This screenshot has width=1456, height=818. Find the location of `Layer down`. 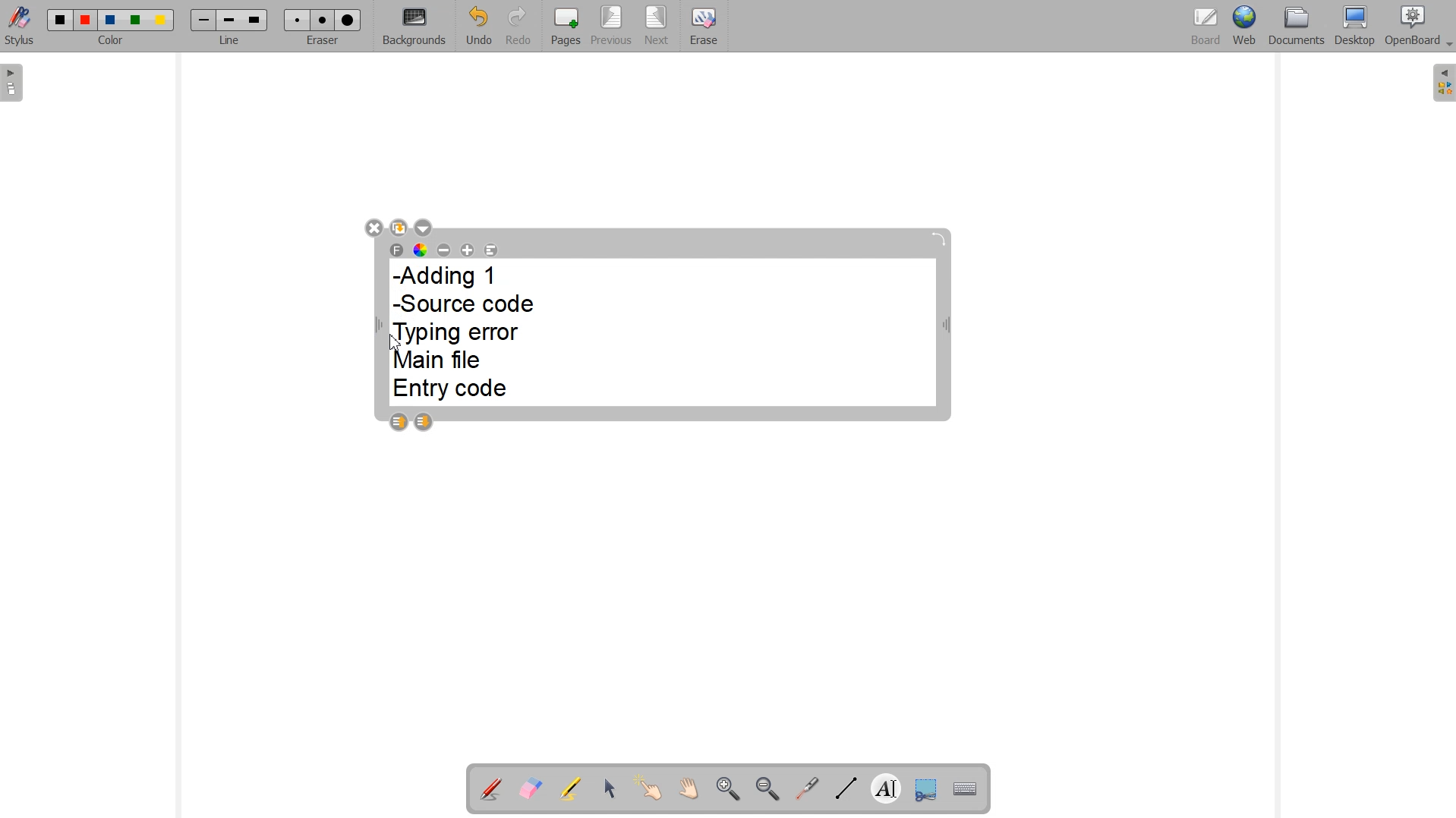

Layer down is located at coordinates (424, 422).